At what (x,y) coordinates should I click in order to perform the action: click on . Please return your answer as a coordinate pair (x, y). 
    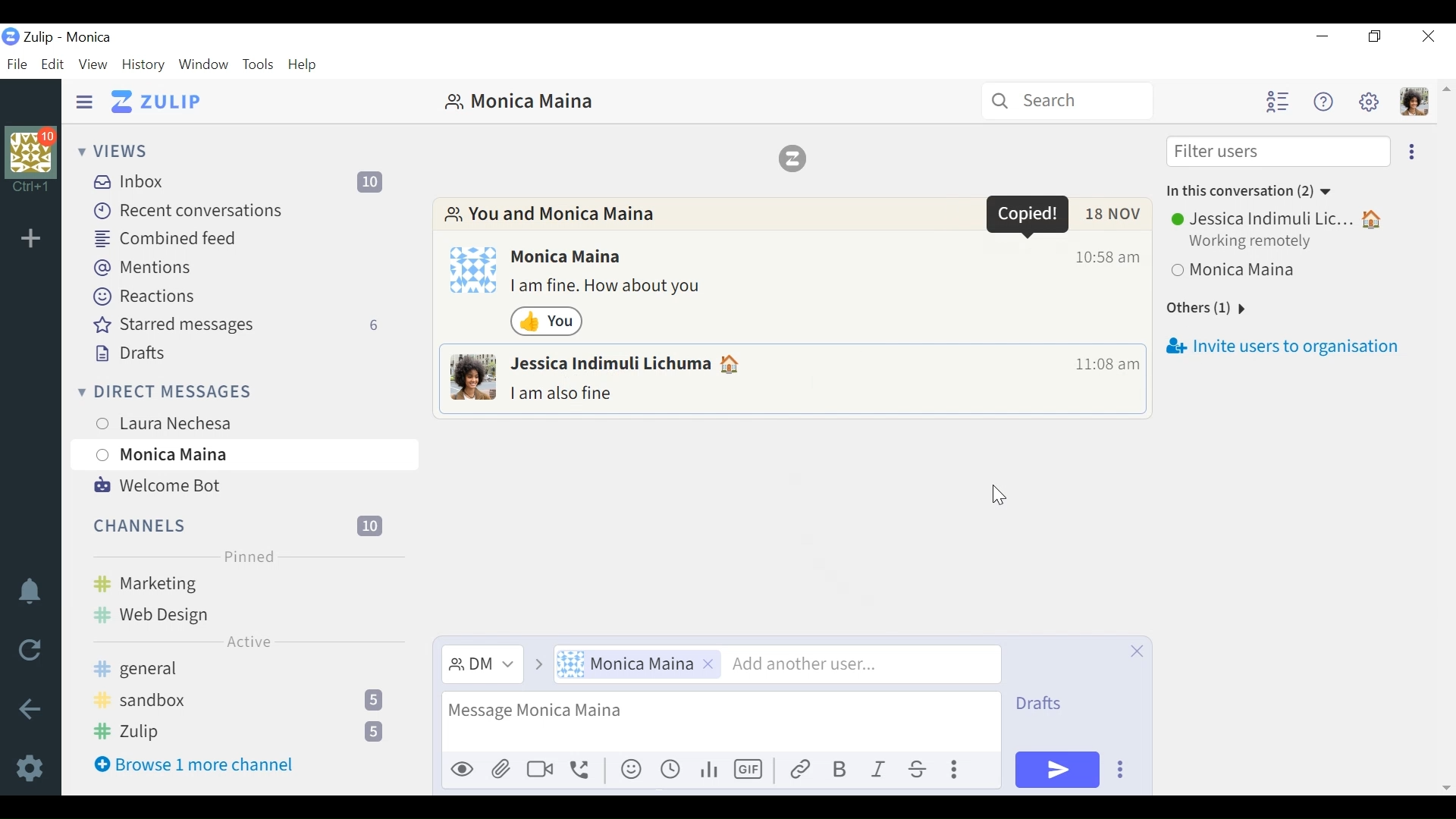
    Looking at the image, I should click on (542, 770).